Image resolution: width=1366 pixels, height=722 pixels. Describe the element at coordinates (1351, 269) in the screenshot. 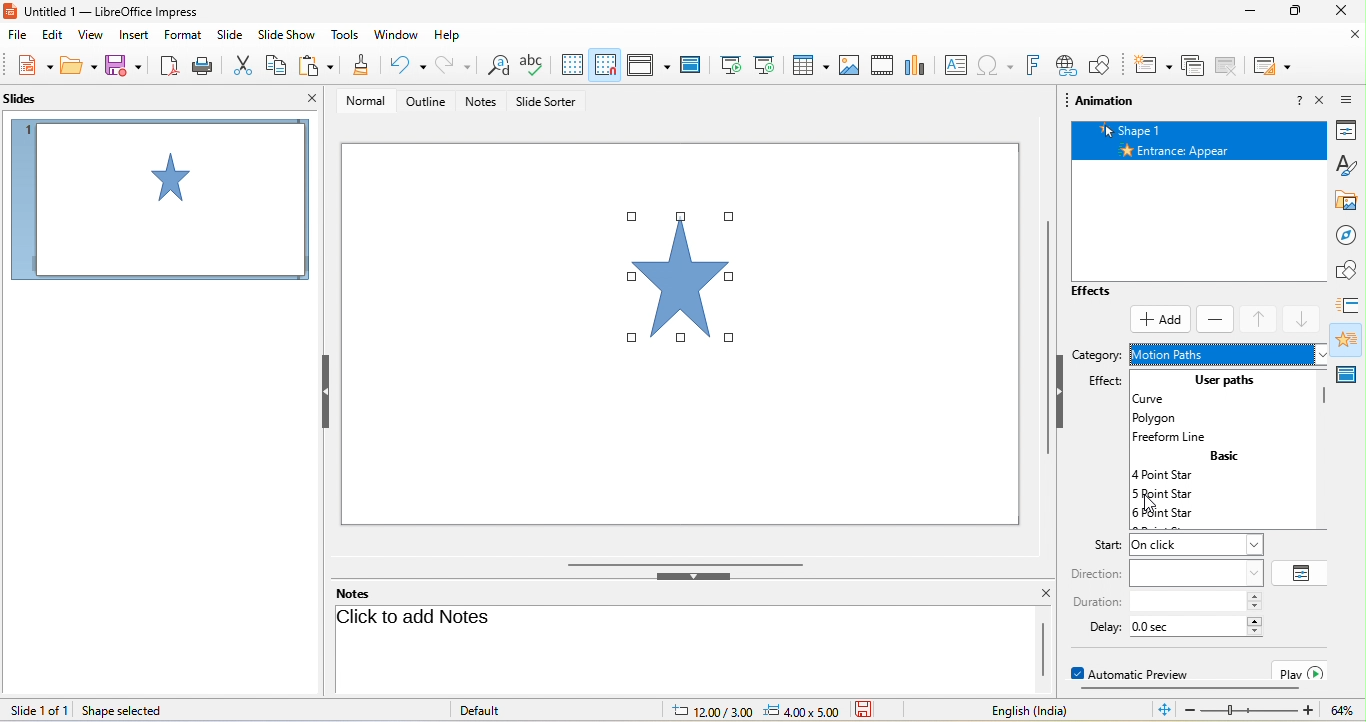

I see `shapes` at that location.